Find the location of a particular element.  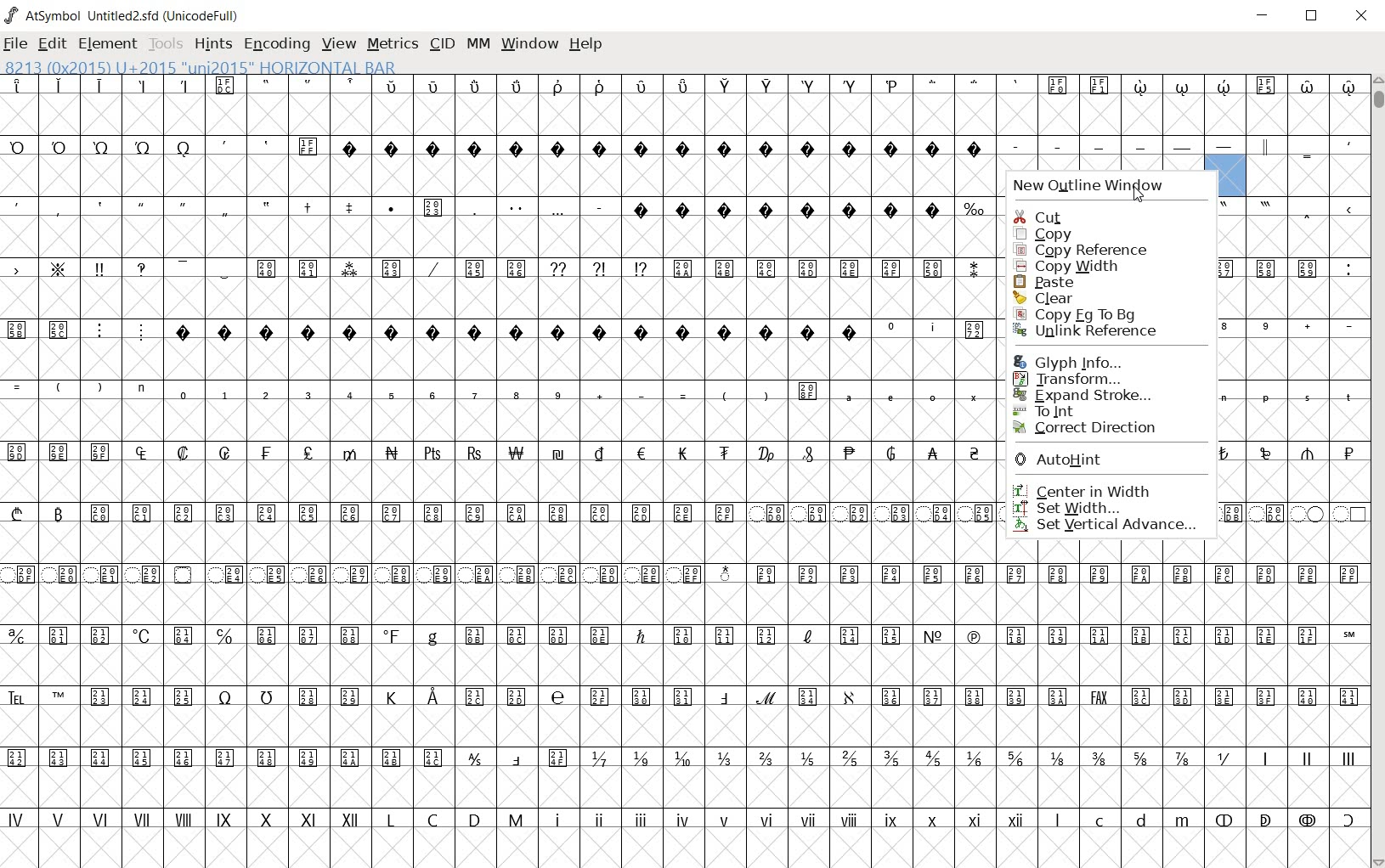

To Int is located at coordinates (1104, 410).